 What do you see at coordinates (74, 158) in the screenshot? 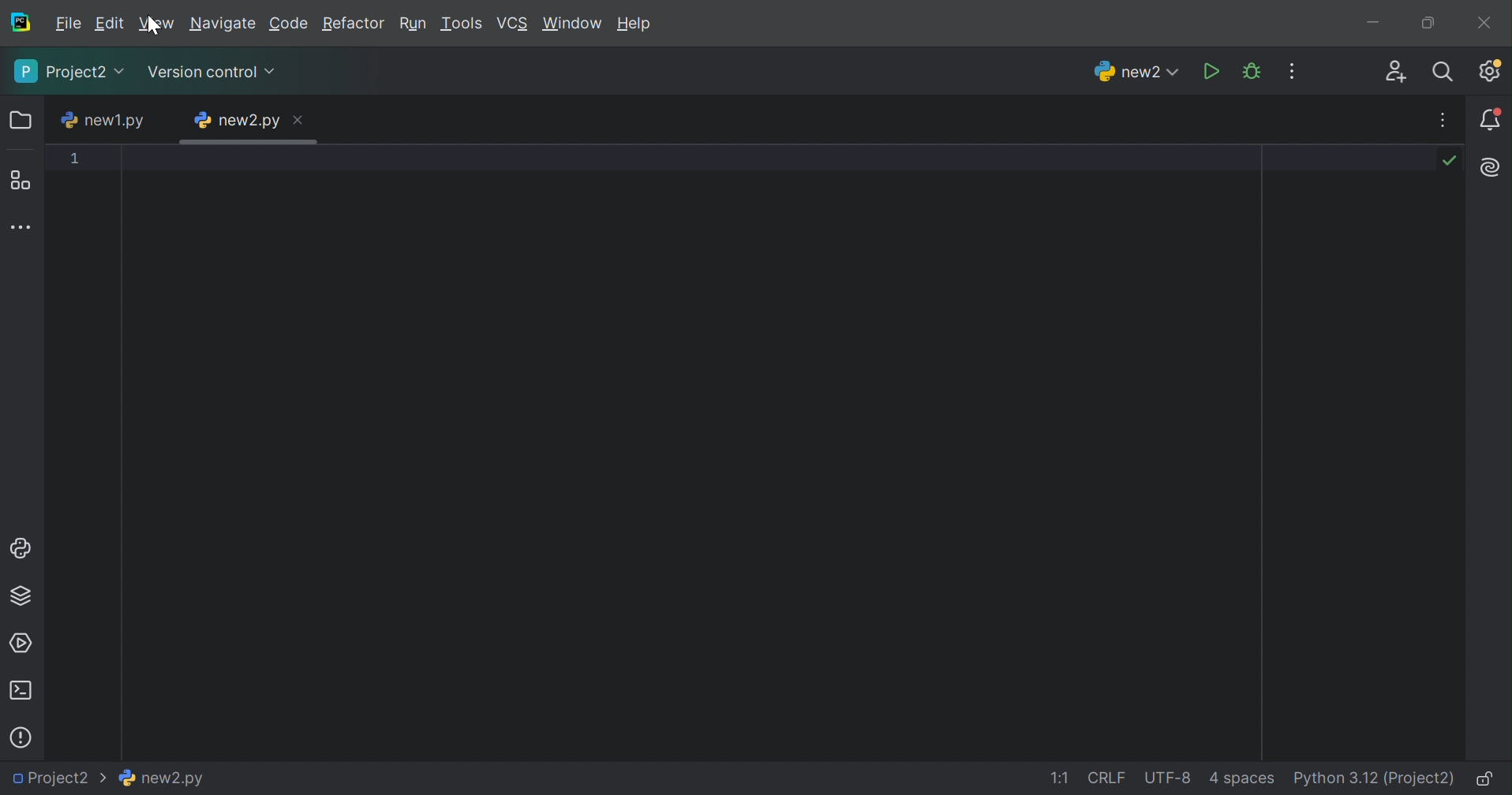
I see `1` at bounding box center [74, 158].